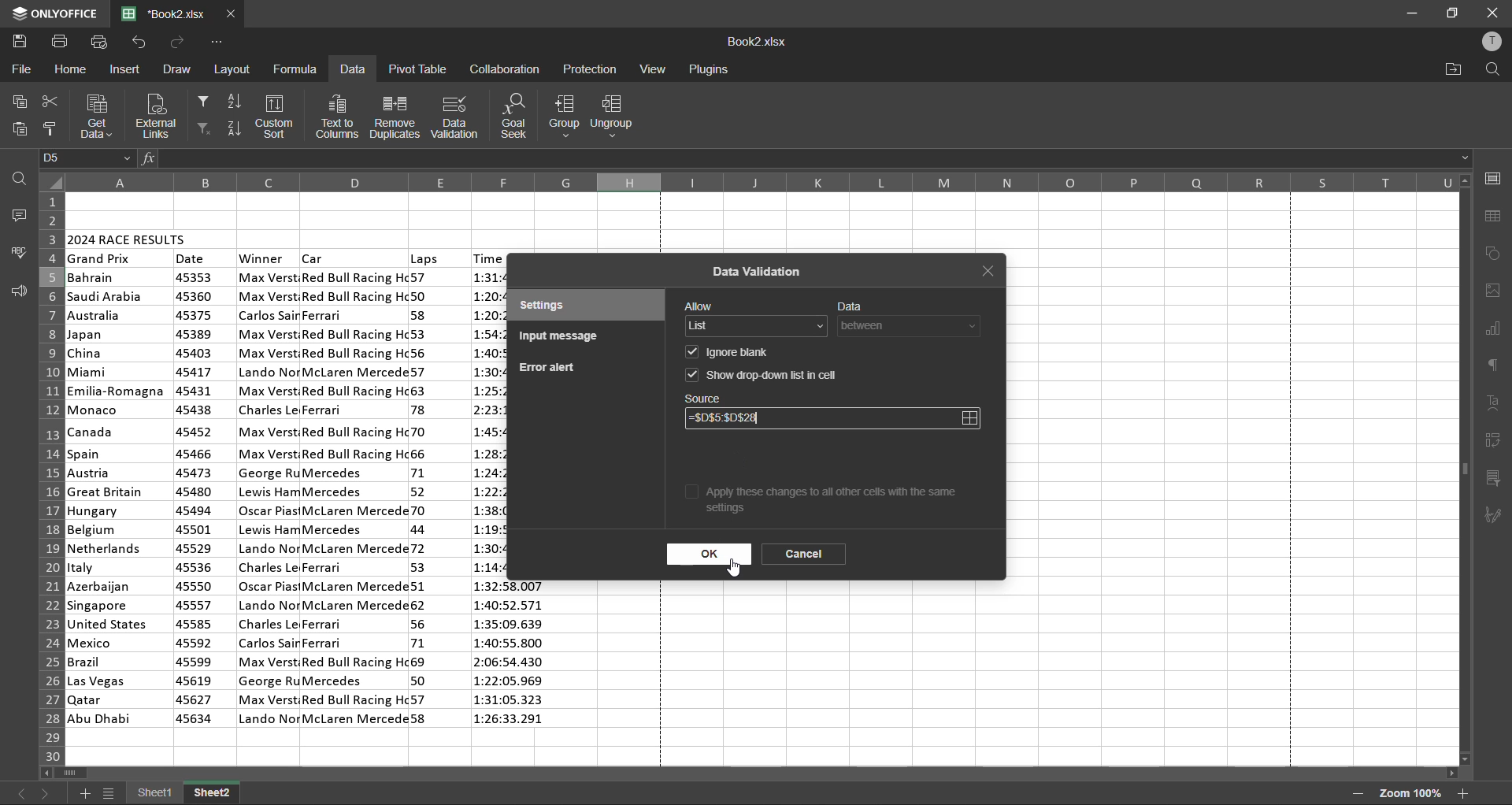  I want to click on zoom out, so click(1356, 794).